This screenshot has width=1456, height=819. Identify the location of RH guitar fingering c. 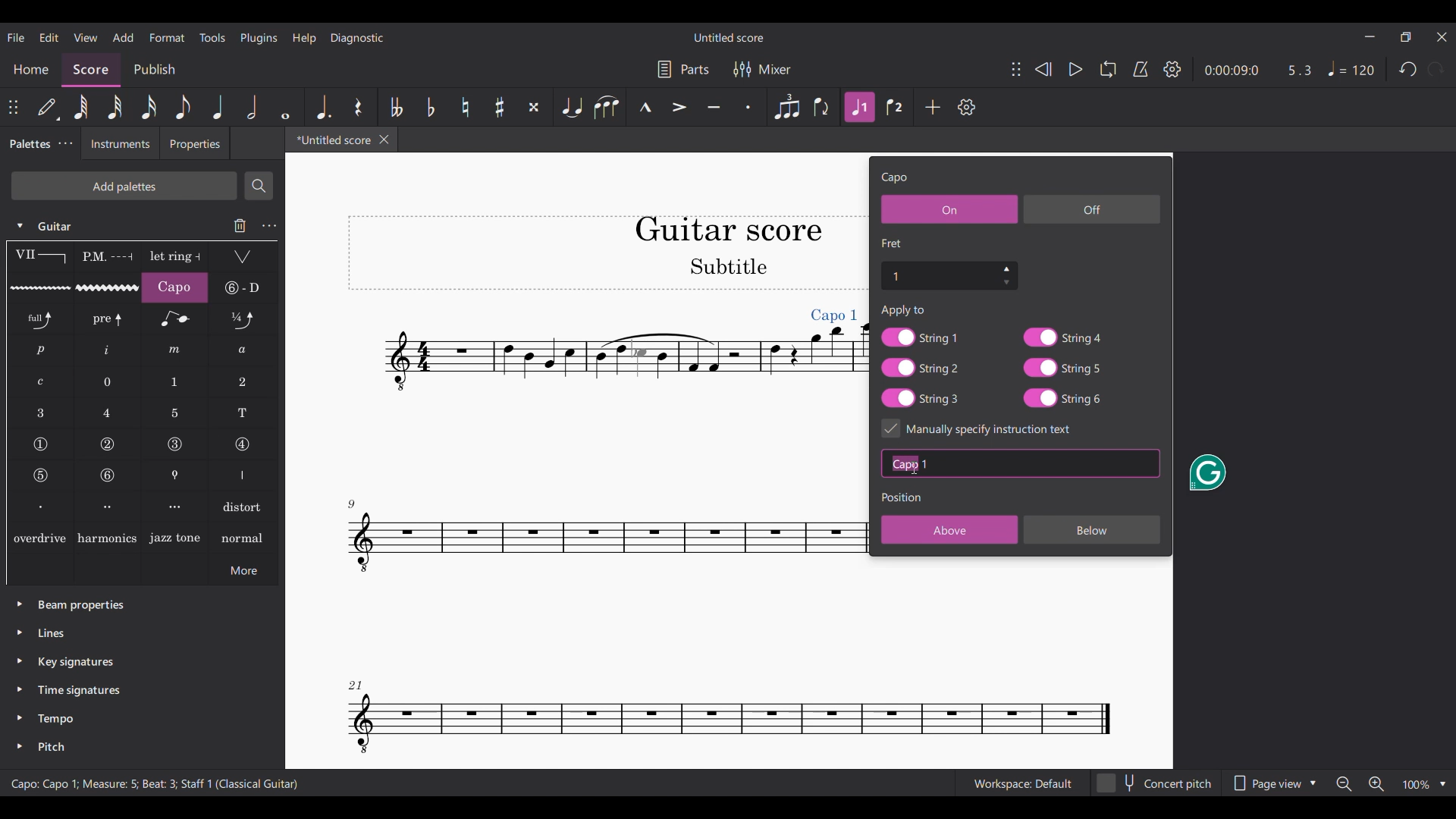
(41, 382).